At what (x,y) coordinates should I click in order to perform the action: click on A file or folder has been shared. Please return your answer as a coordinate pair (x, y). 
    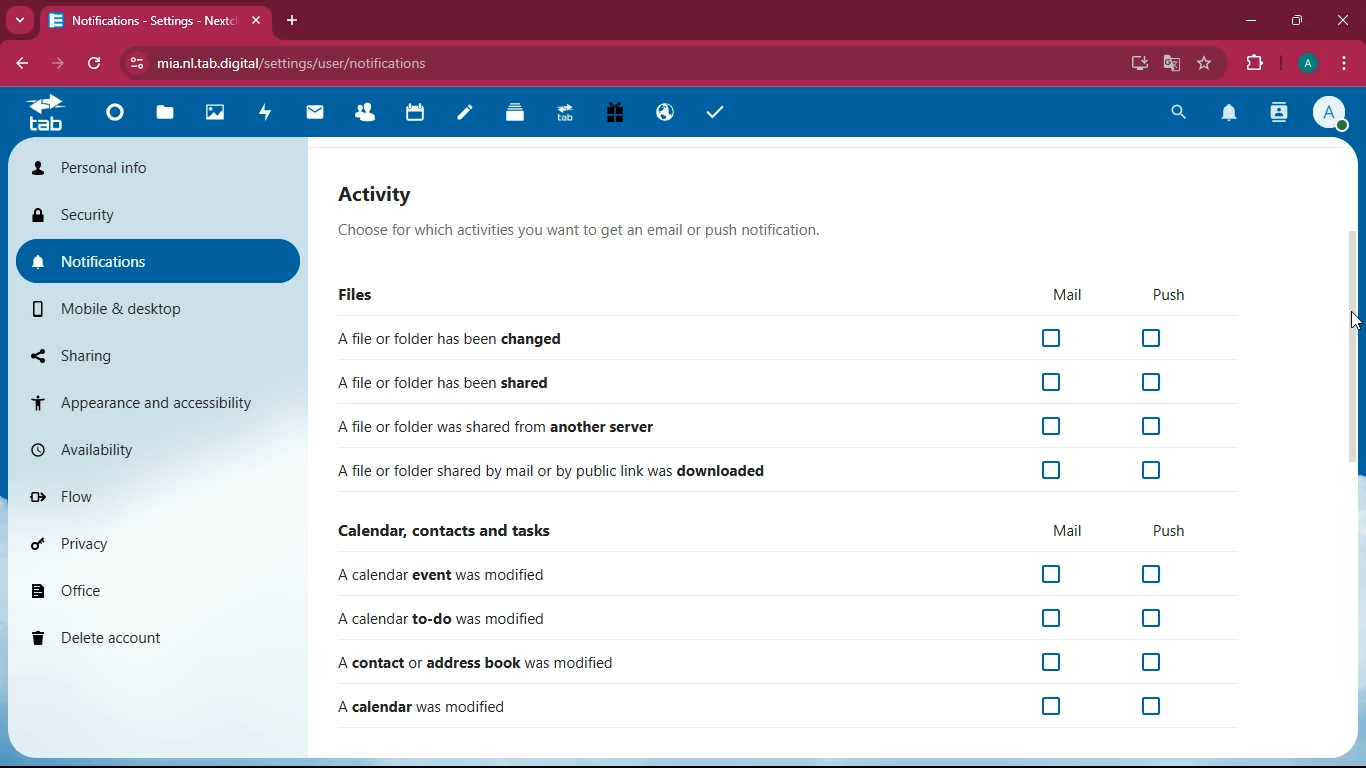
    Looking at the image, I should click on (765, 384).